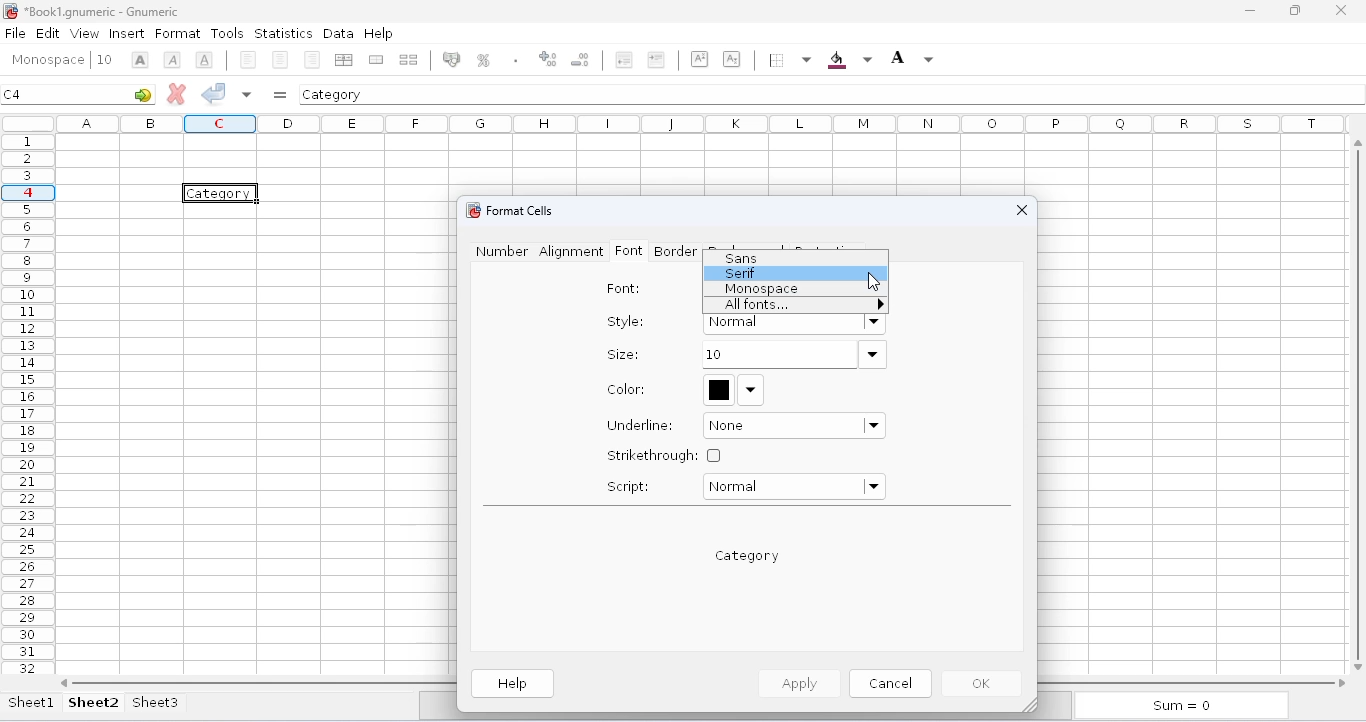 The width and height of the screenshot is (1366, 722). I want to click on sans, so click(741, 258).